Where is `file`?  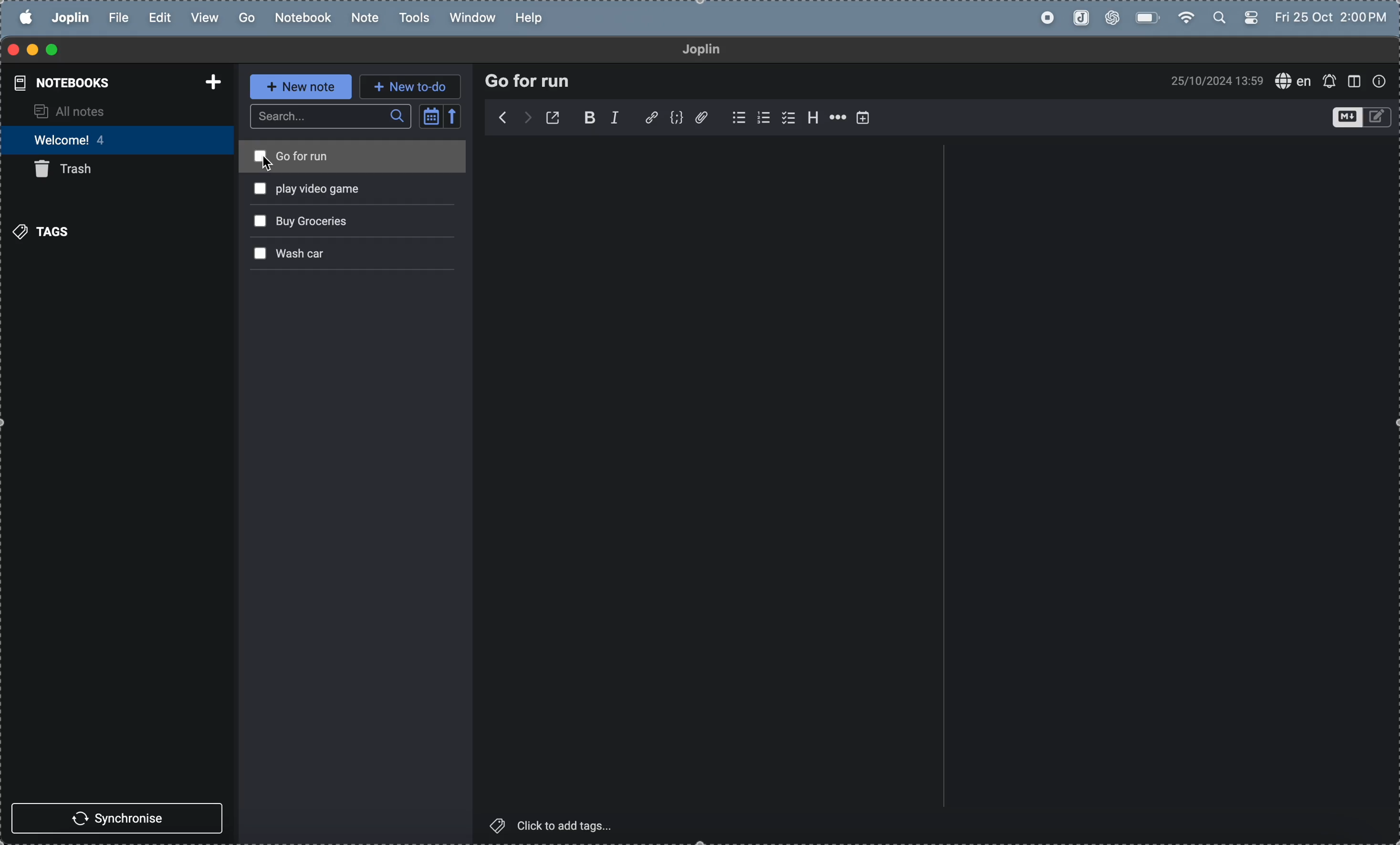
file is located at coordinates (115, 17).